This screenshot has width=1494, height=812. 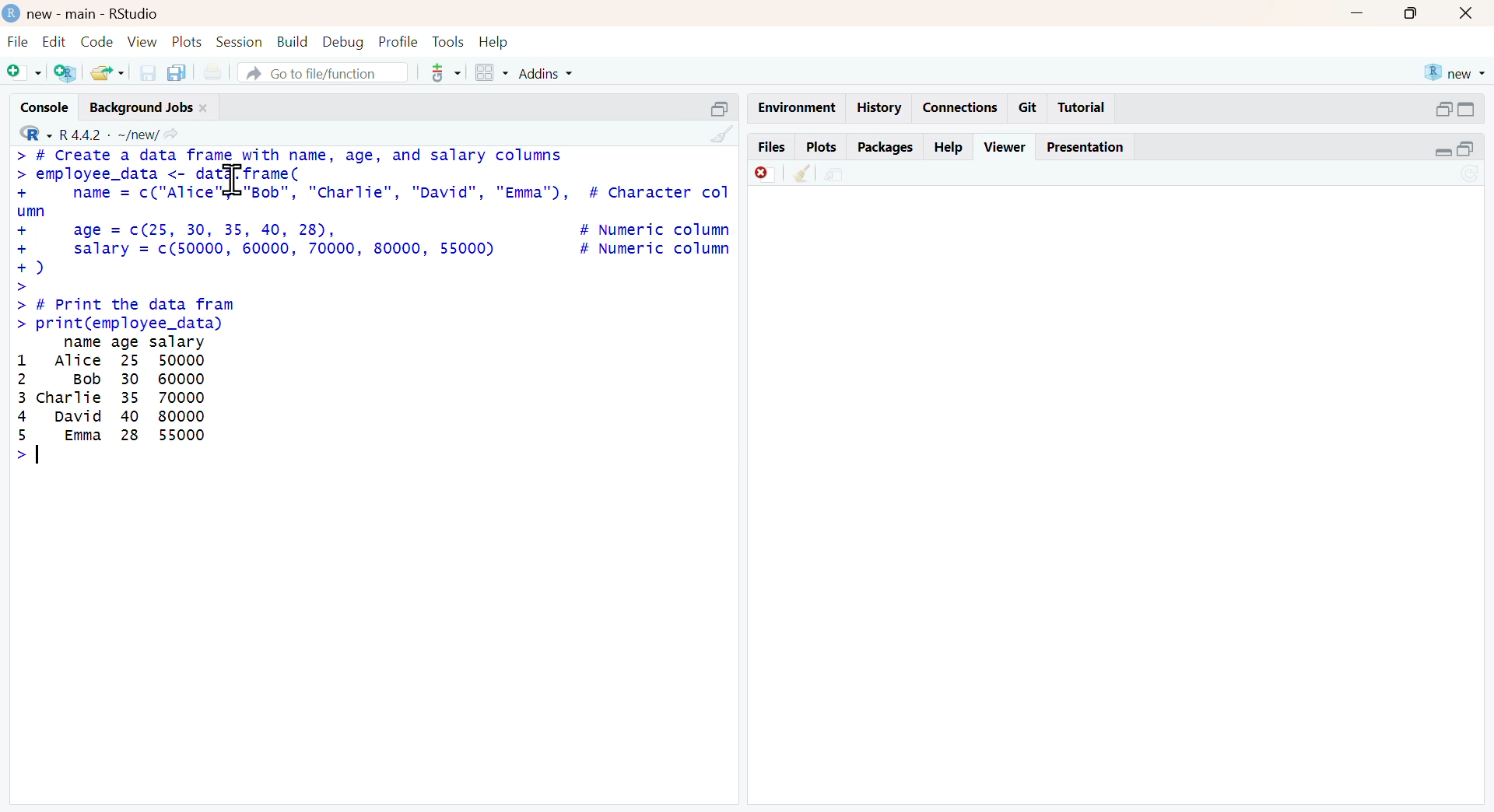 What do you see at coordinates (491, 72) in the screenshot?
I see `workspace panes` at bounding box center [491, 72].